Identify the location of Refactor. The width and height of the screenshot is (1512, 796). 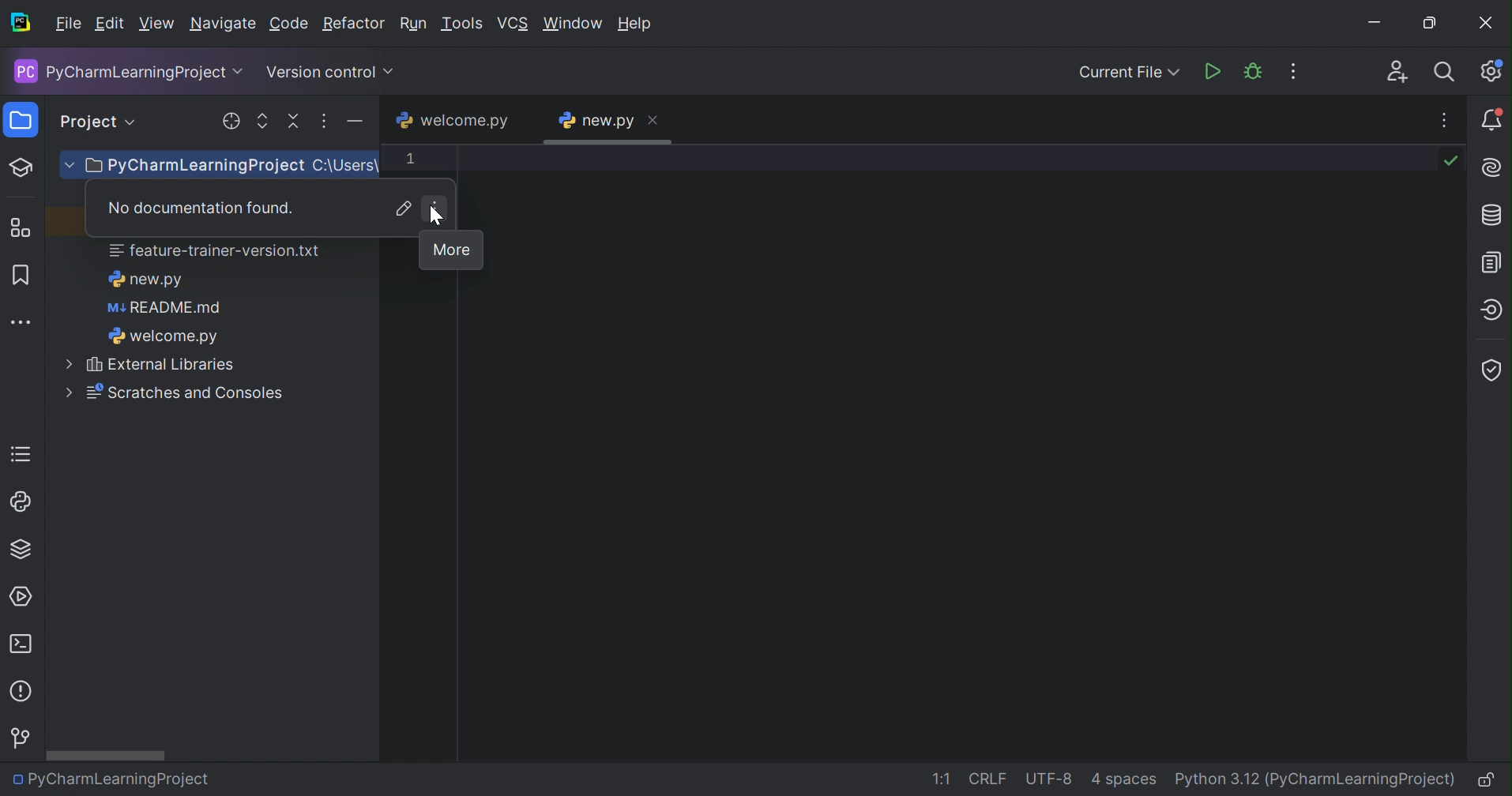
(354, 24).